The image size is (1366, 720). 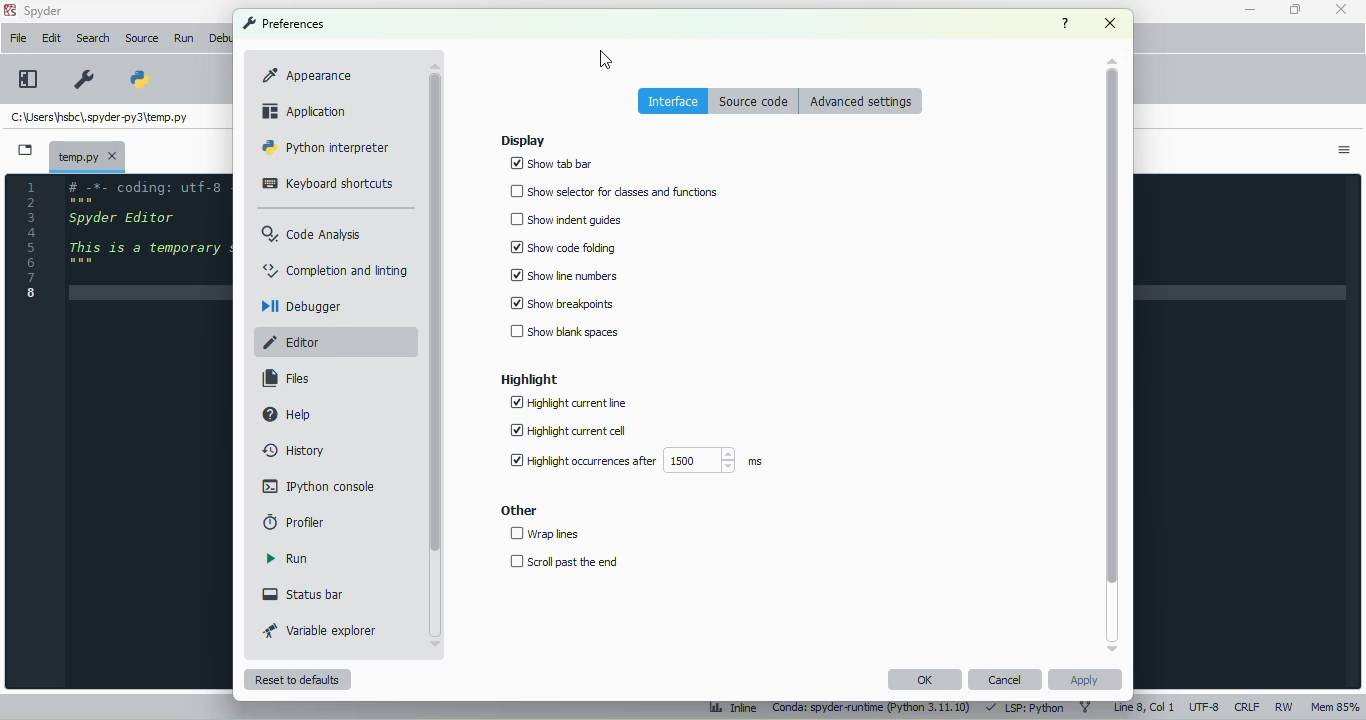 I want to click on advanced settings, so click(x=861, y=100).